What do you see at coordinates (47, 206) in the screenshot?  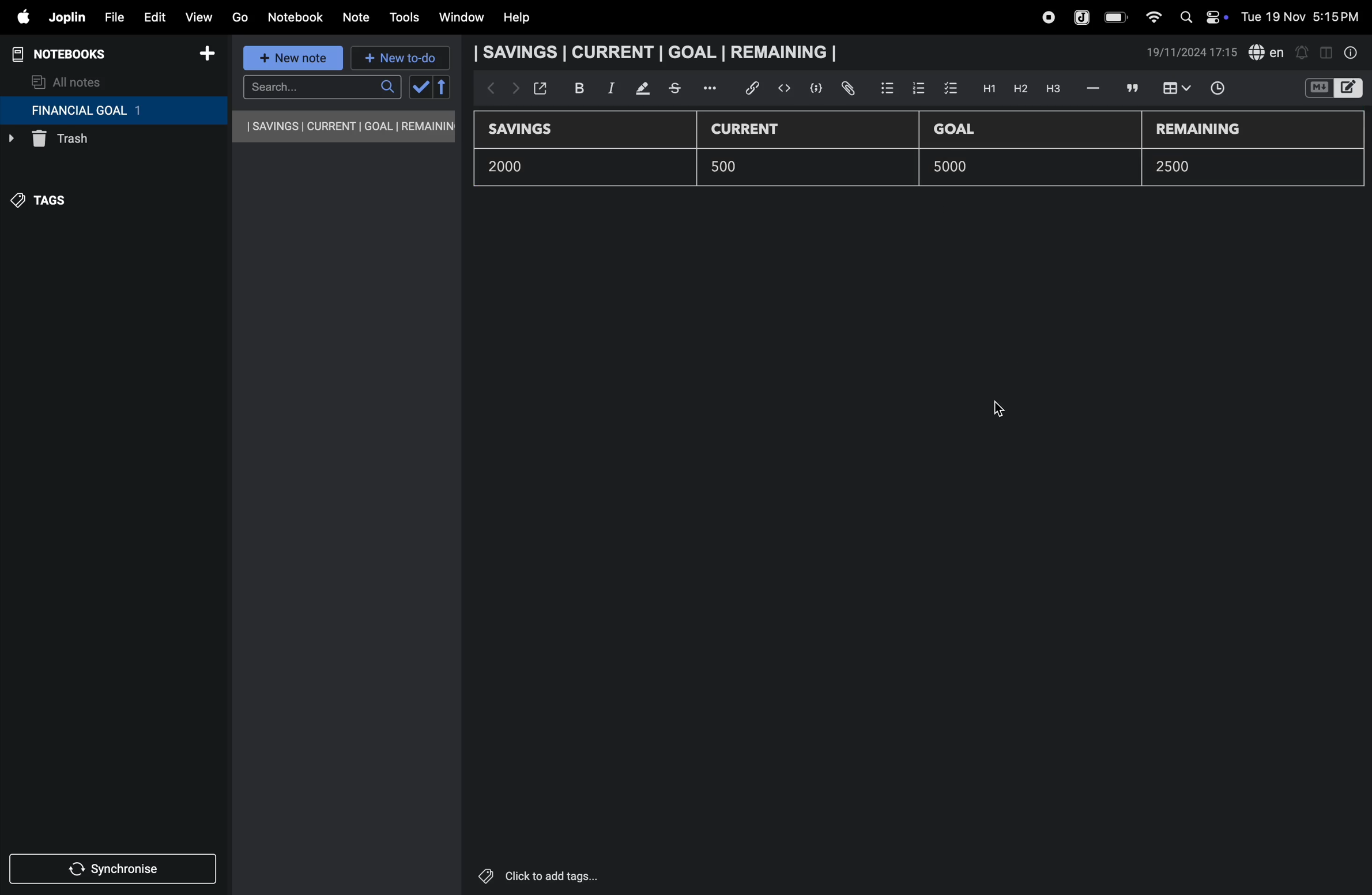 I see `tags` at bounding box center [47, 206].